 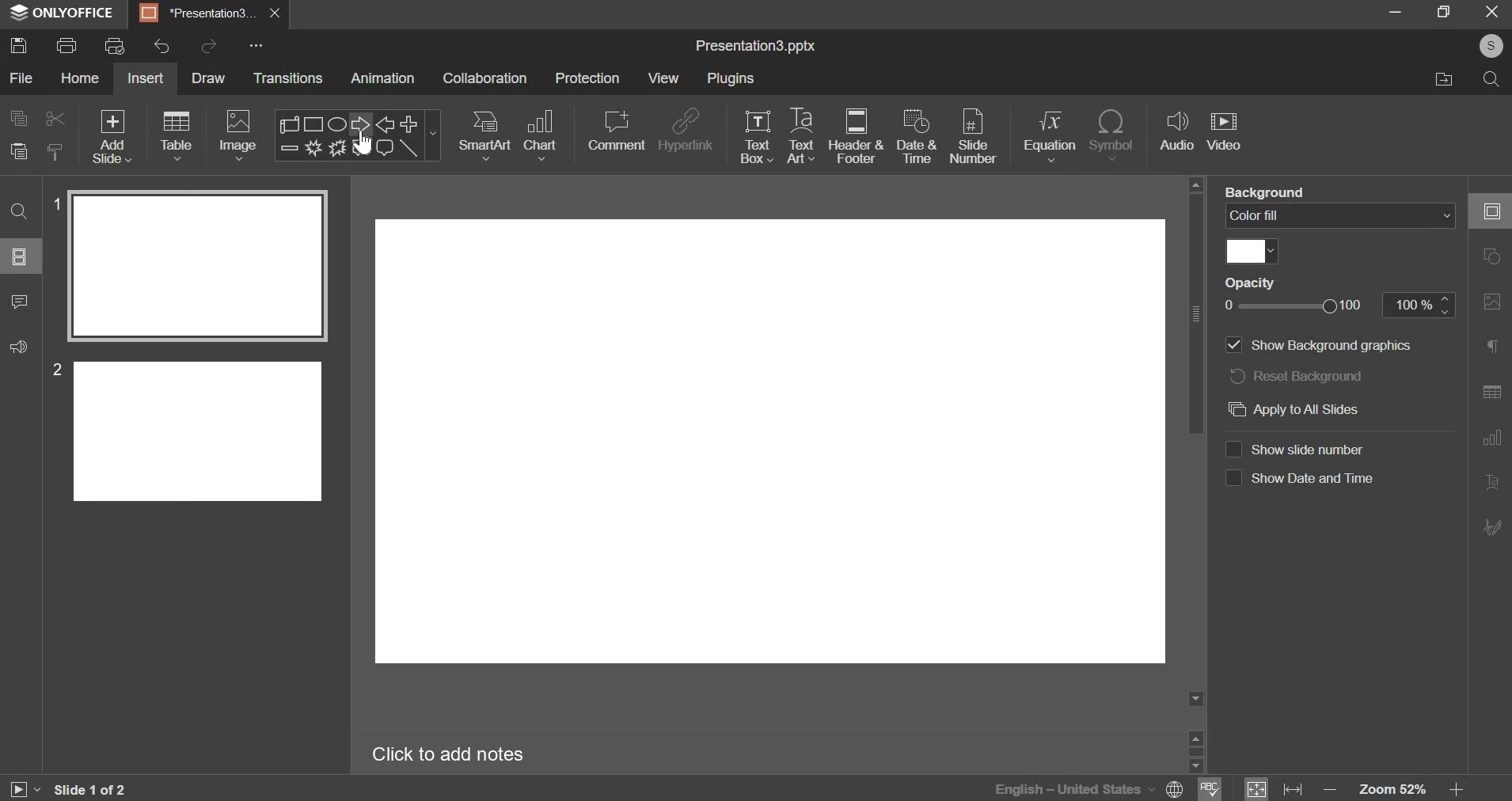 I want to click on Presentation3, so click(x=195, y=16).